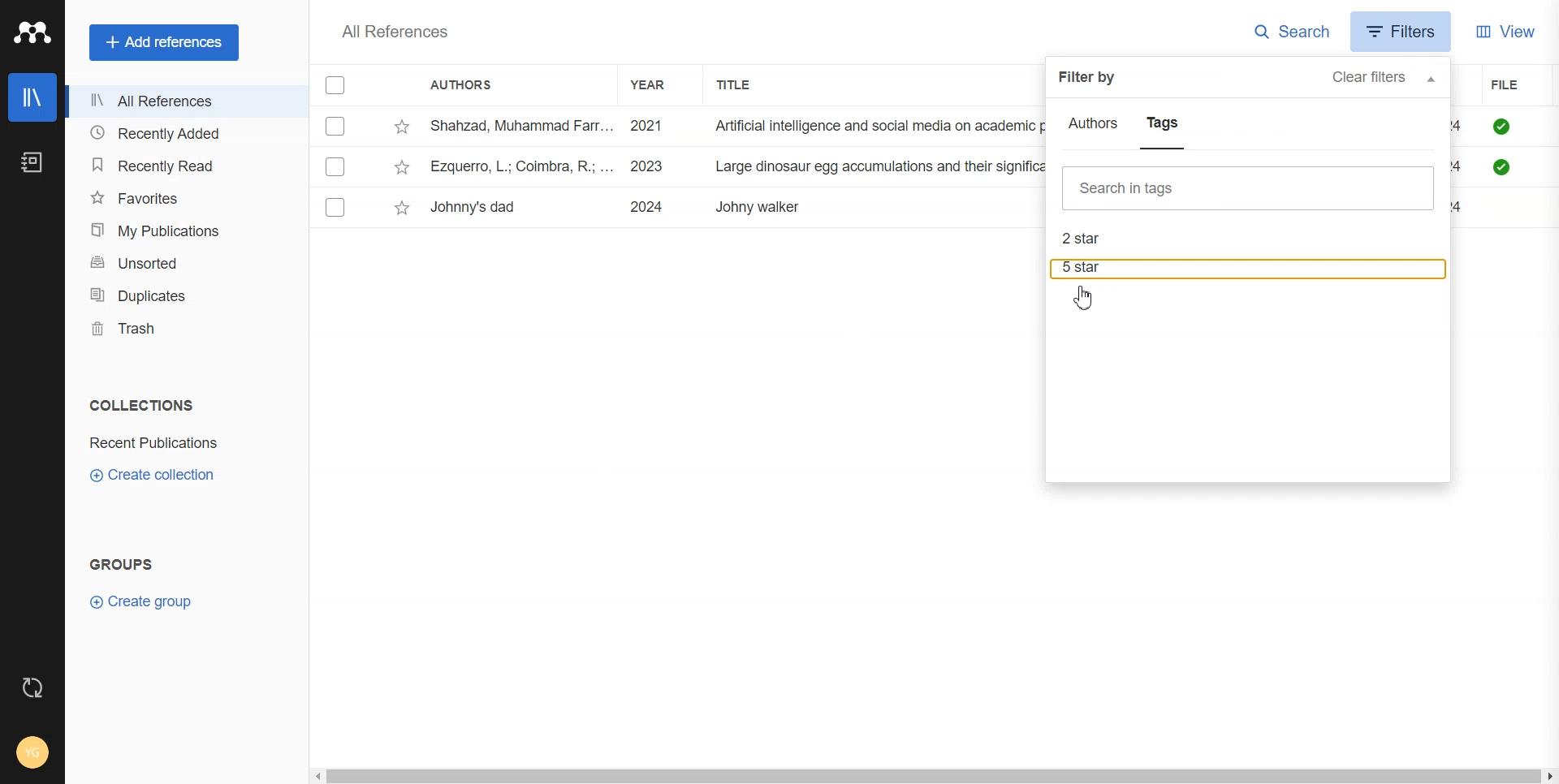  What do you see at coordinates (33, 687) in the screenshot?
I see `Auto Sync` at bounding box center [33, 687].